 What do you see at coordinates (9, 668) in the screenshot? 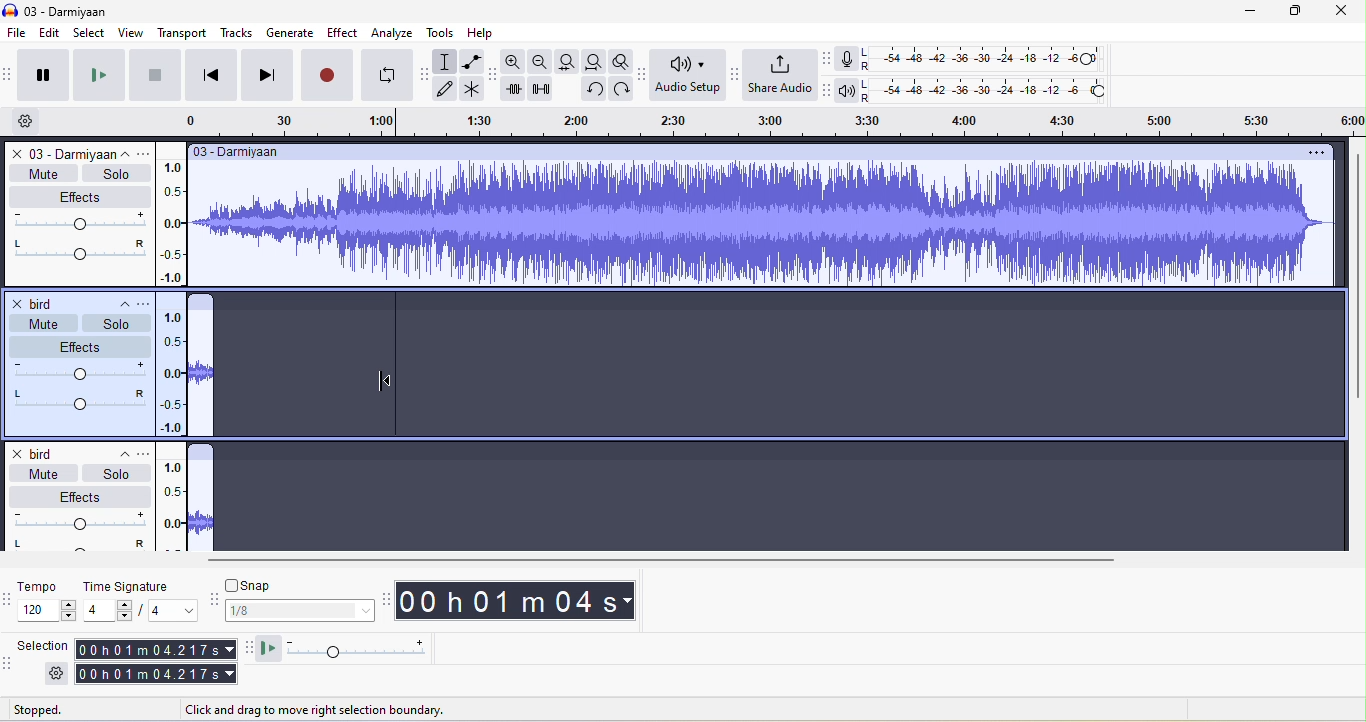
I see `audacity selection toolbar` at bounding box center [9, 668].